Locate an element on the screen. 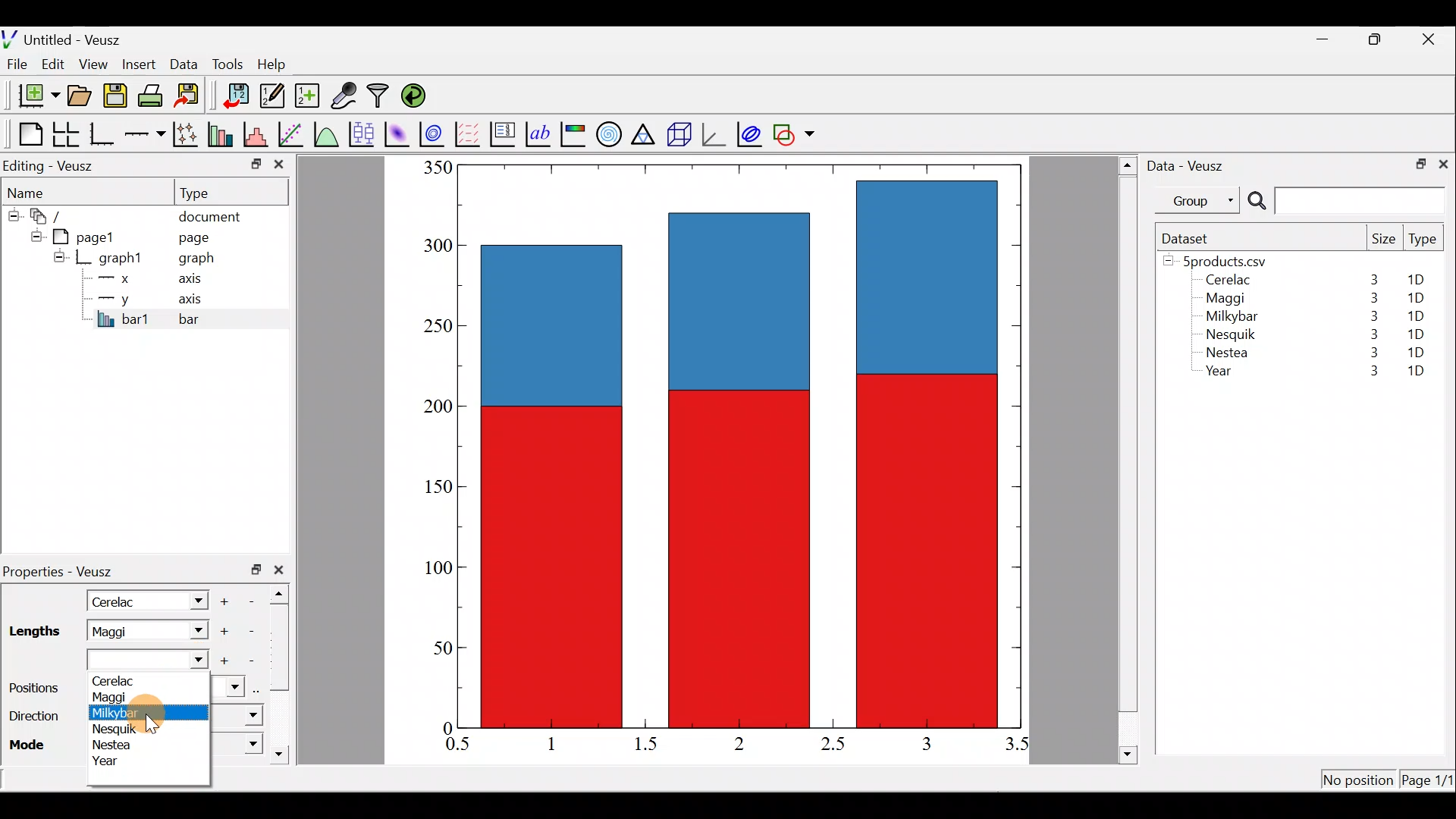 The width and height of the screenshot is (1456, 819). Add another item is located at coordinates (226, 661).